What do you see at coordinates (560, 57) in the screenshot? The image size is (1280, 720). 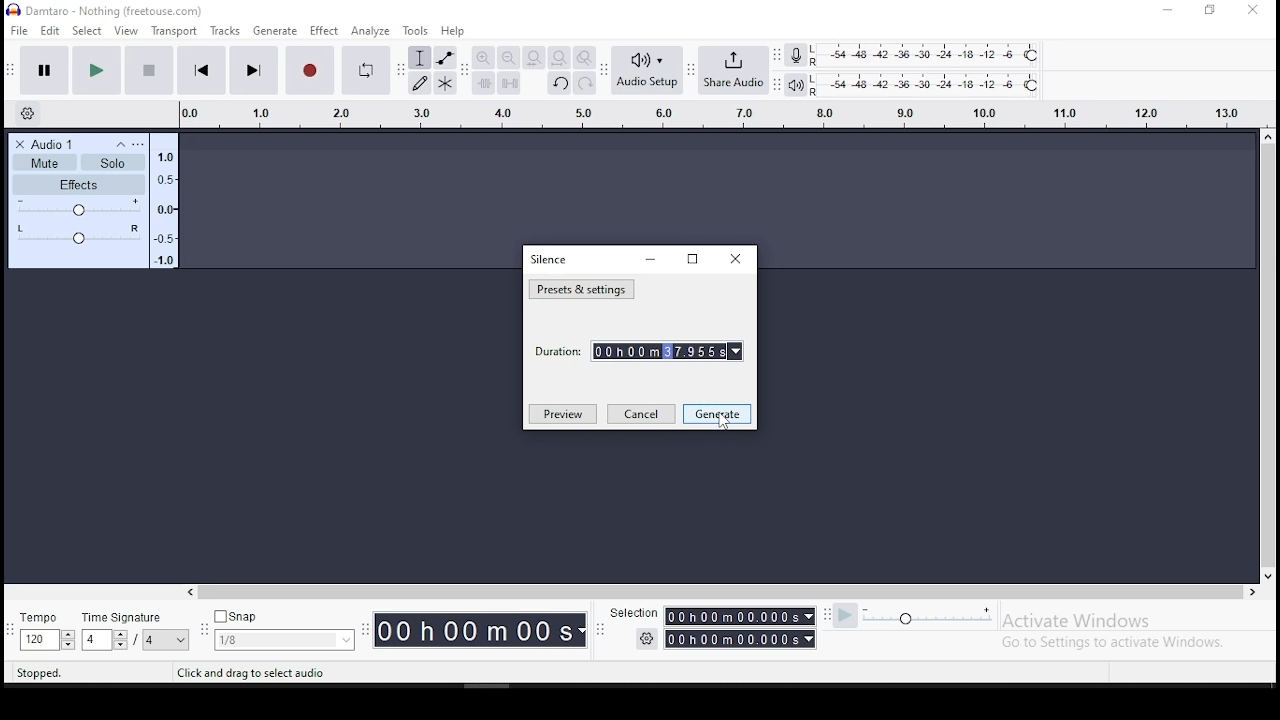 I see `fit project to width` at bounding box center [560, 57].